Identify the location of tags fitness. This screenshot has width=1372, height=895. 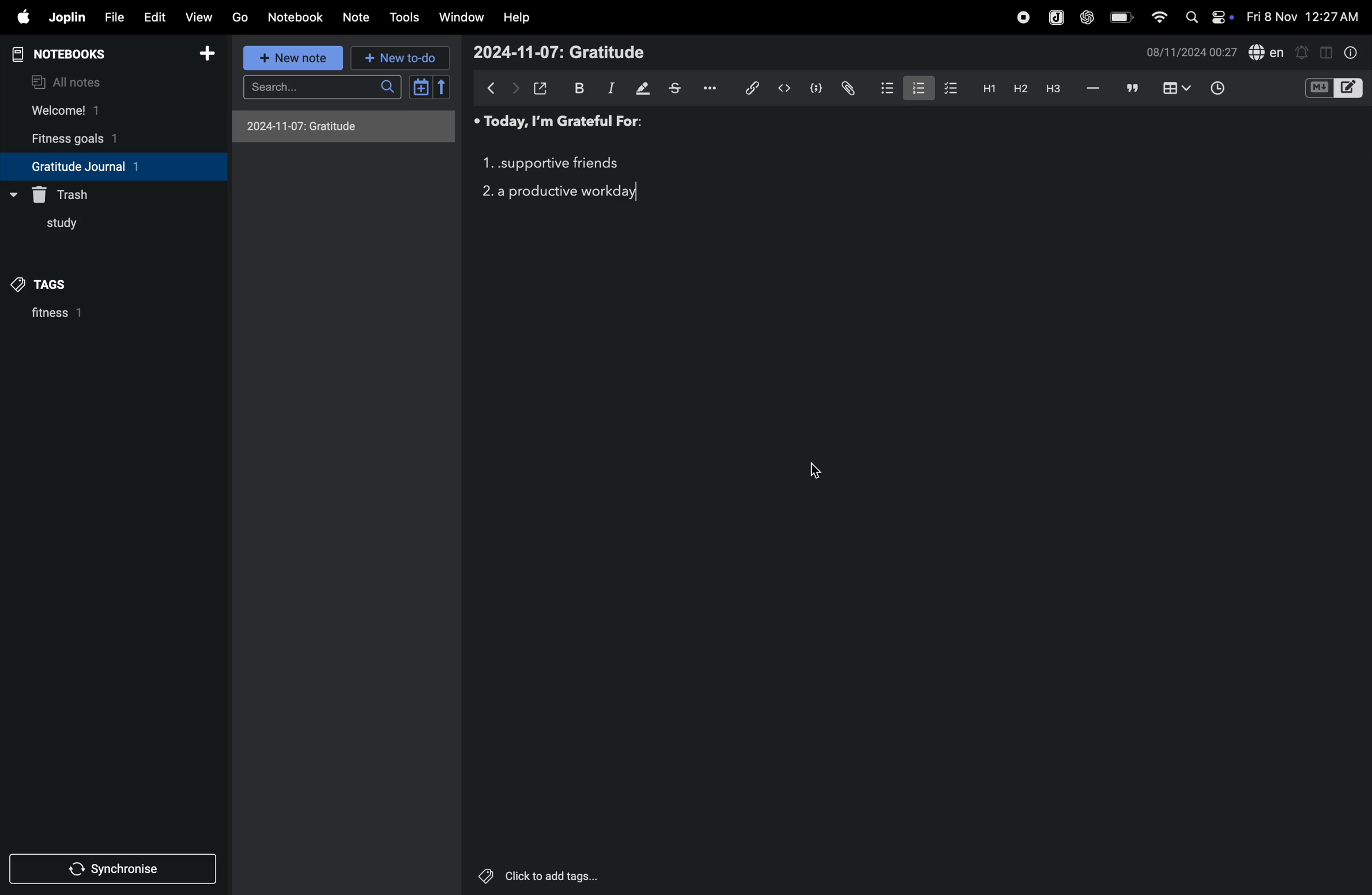
(49, 284).